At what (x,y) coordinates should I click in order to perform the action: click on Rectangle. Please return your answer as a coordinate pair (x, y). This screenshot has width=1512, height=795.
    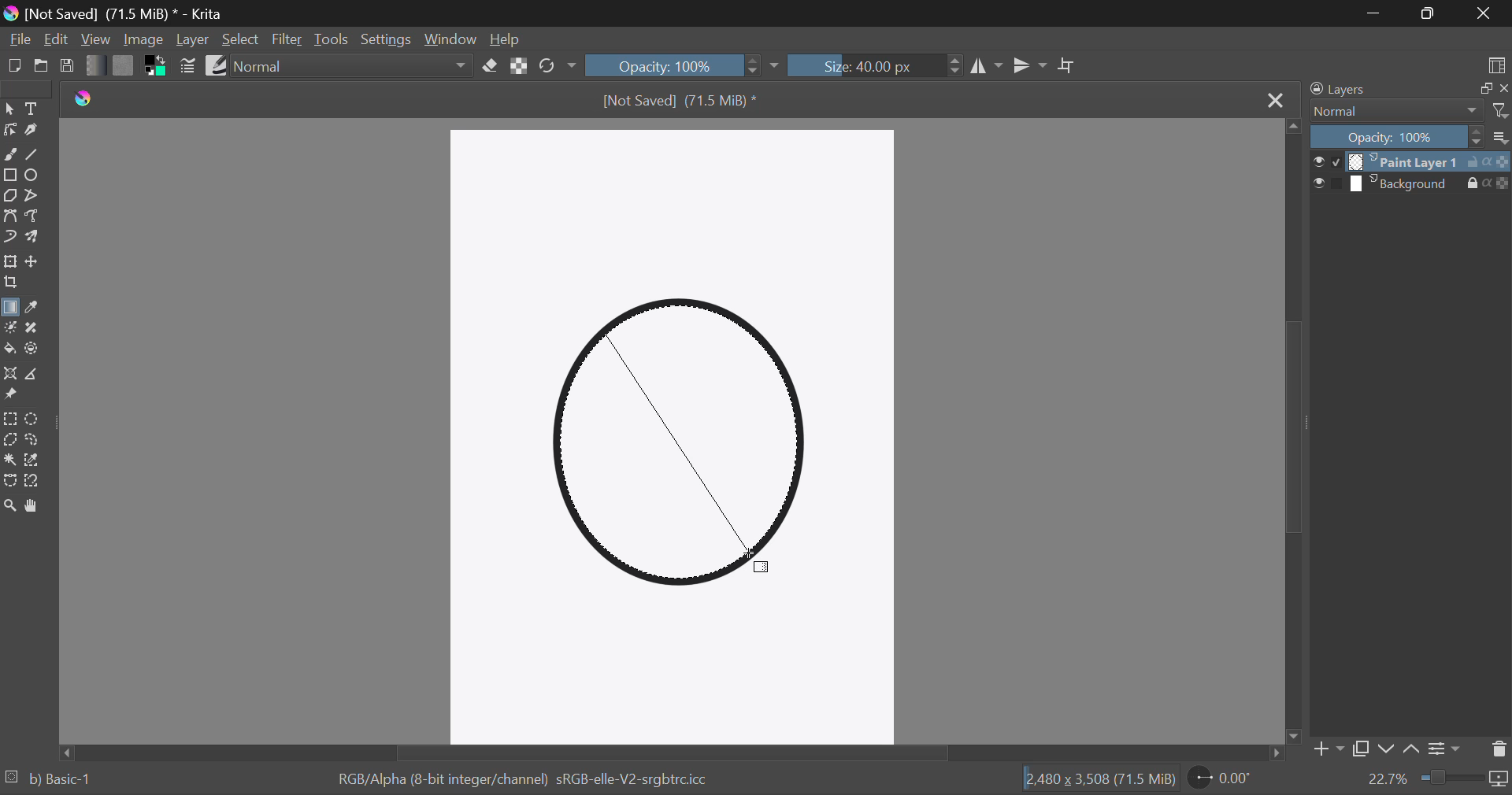
    Looking at the image, I should click on (11, 177).